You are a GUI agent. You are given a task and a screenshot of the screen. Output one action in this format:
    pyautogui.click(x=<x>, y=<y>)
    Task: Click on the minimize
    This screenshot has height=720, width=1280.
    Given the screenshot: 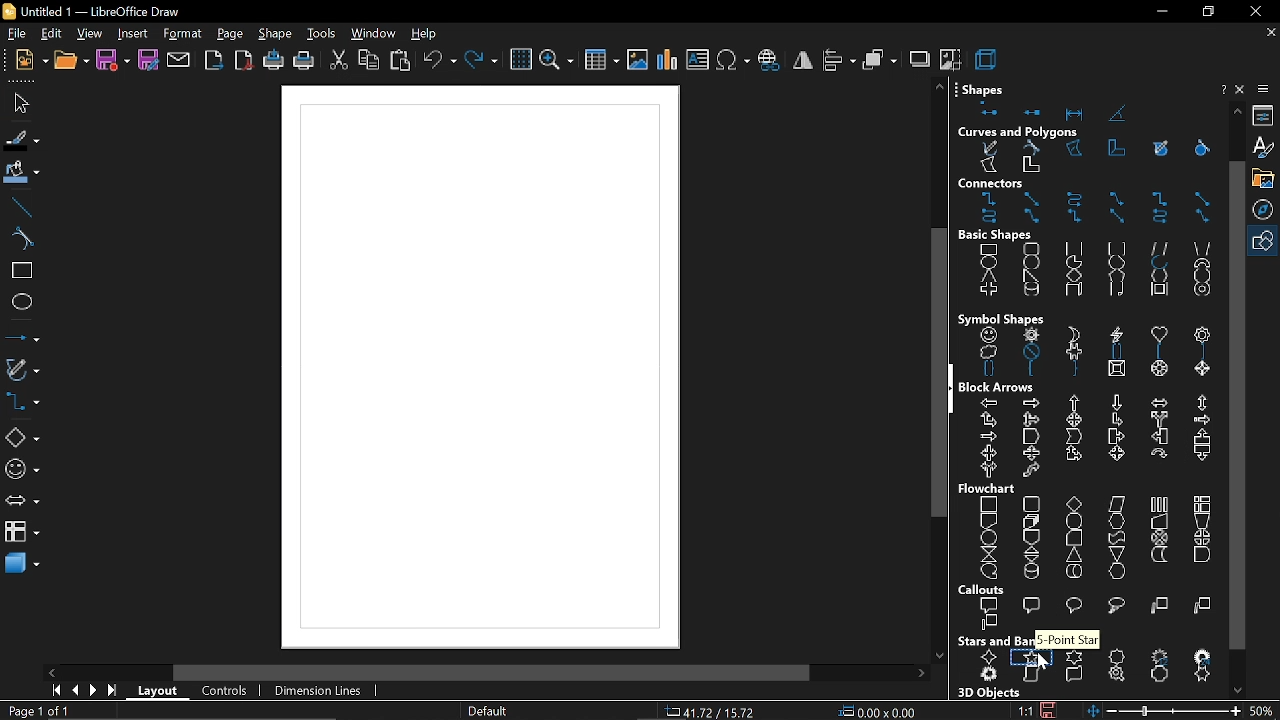 What is the action you would take?
    pyautogui.click(x=1159, y=15)
    